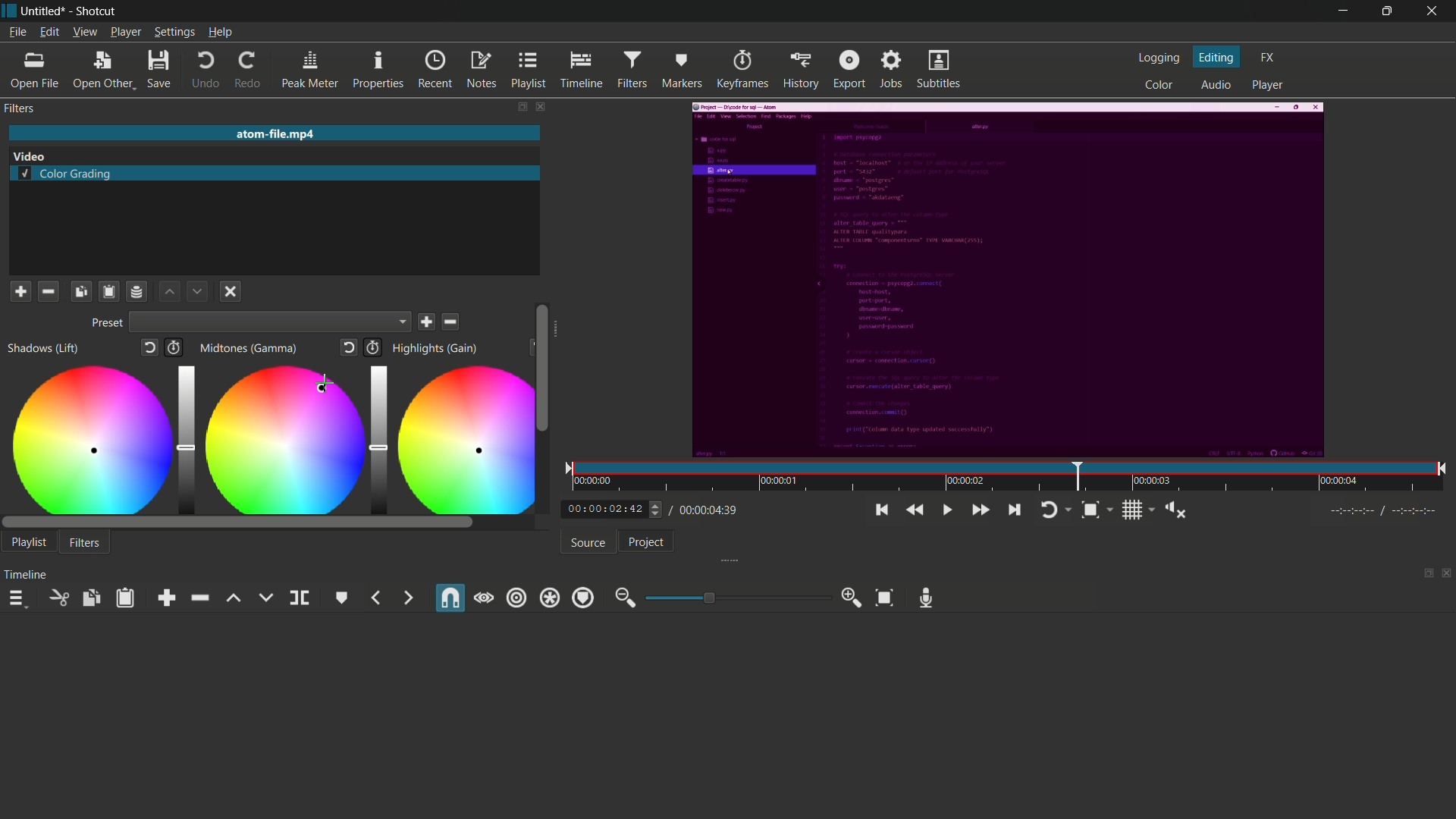 The width and height of the screenshot is (1456, 819). I want to click on player menu, so click(125, 32).